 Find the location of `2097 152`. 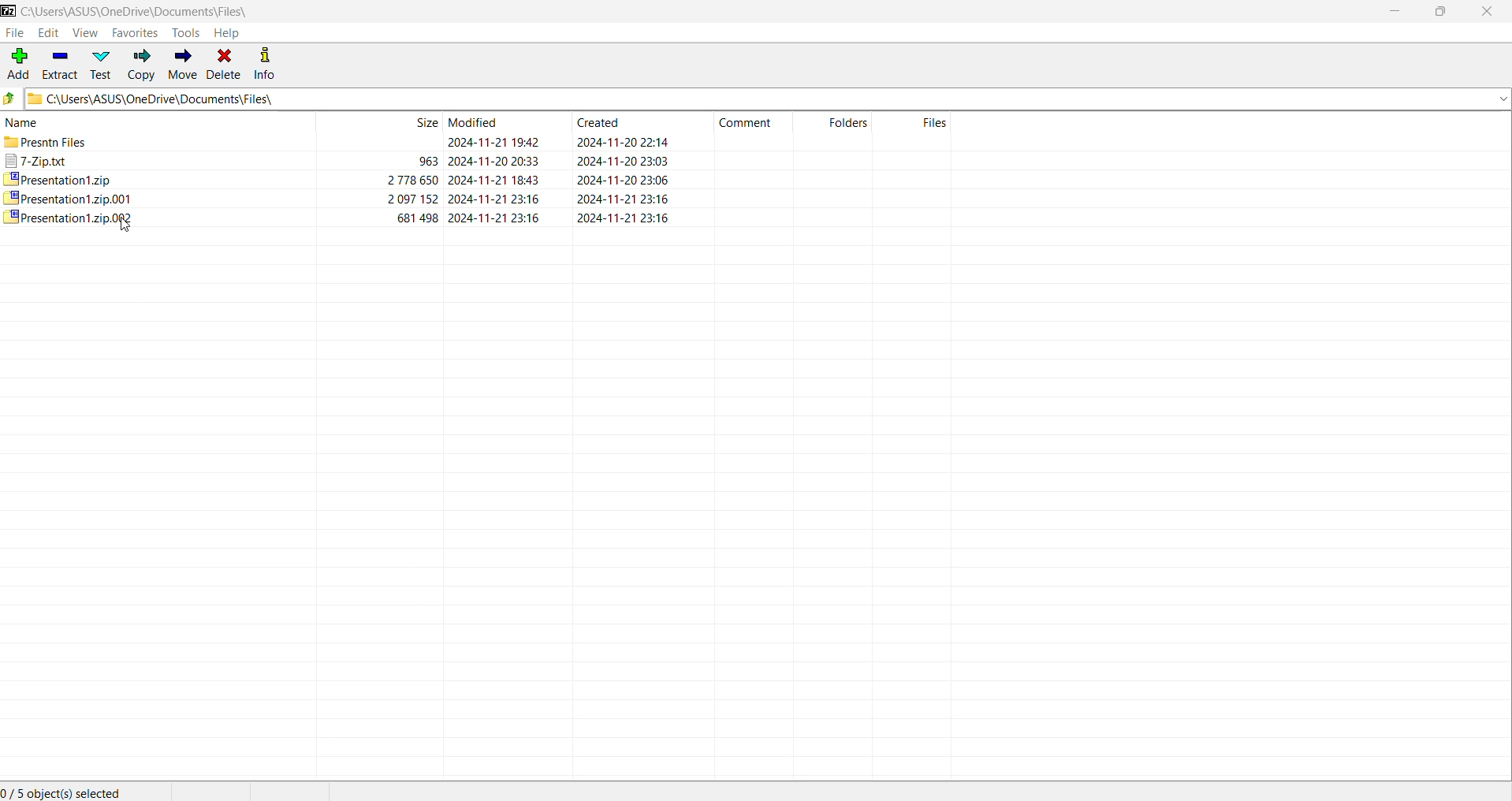

2097 152 is located at coordinates (411, 200).